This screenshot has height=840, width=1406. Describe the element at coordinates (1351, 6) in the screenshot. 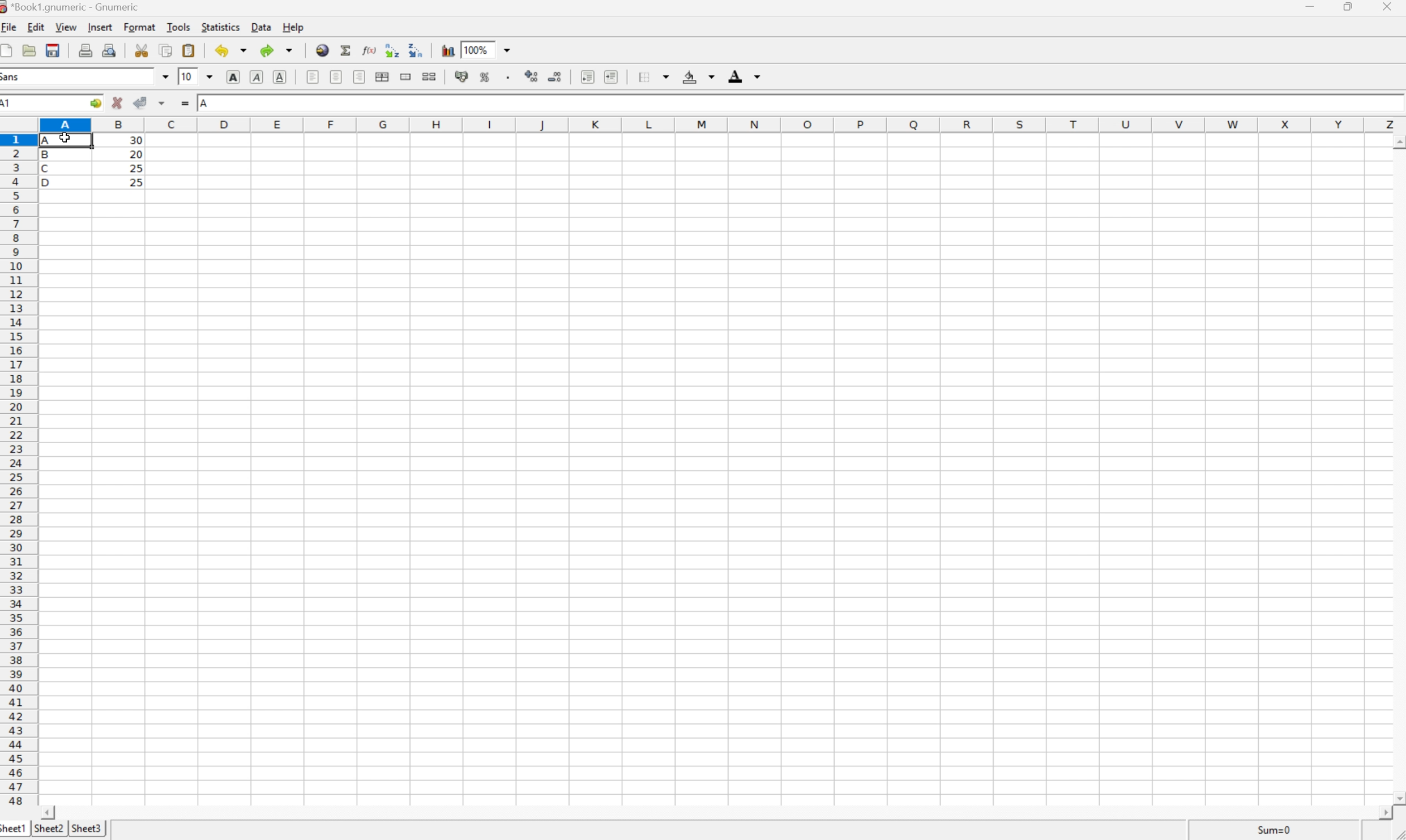

I see `Restore Down` at that location.